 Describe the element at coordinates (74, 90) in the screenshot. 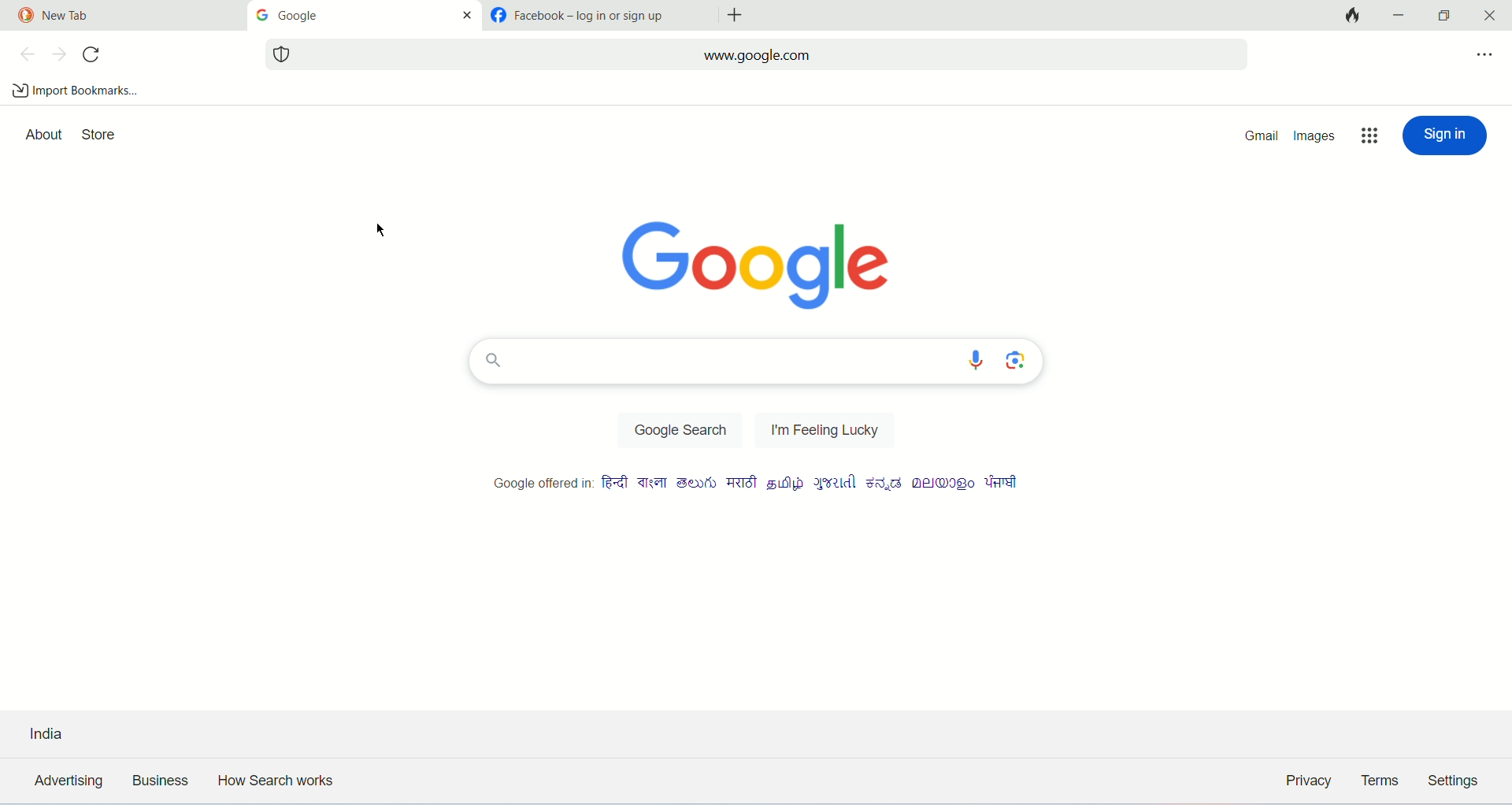

I see `import bookmarks` at that location.